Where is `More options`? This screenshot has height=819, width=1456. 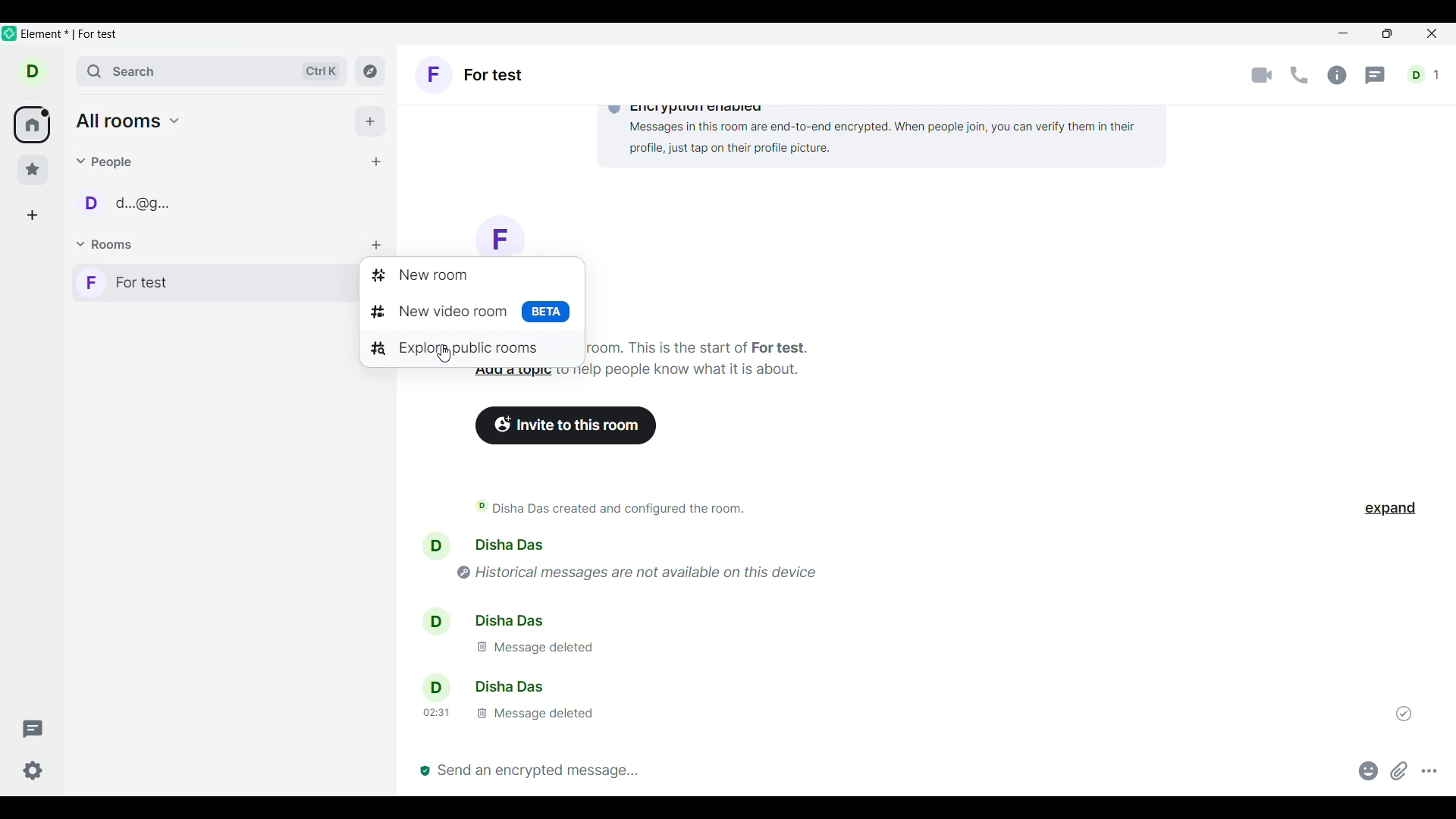 More options is located at coordinates (1429, 770).